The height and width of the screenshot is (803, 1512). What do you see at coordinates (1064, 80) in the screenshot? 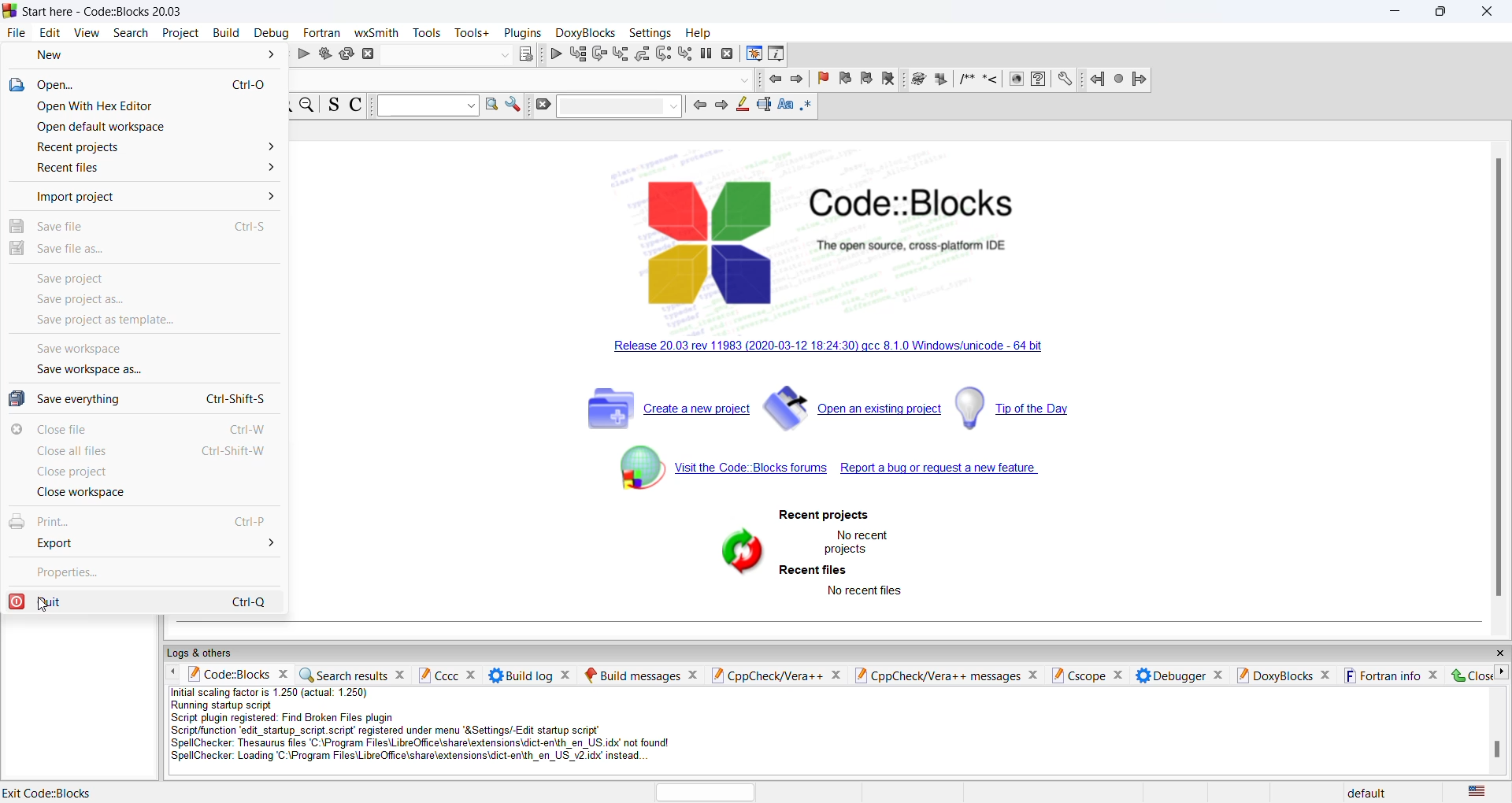
I see `settings` at bounding box center [1064, 80].